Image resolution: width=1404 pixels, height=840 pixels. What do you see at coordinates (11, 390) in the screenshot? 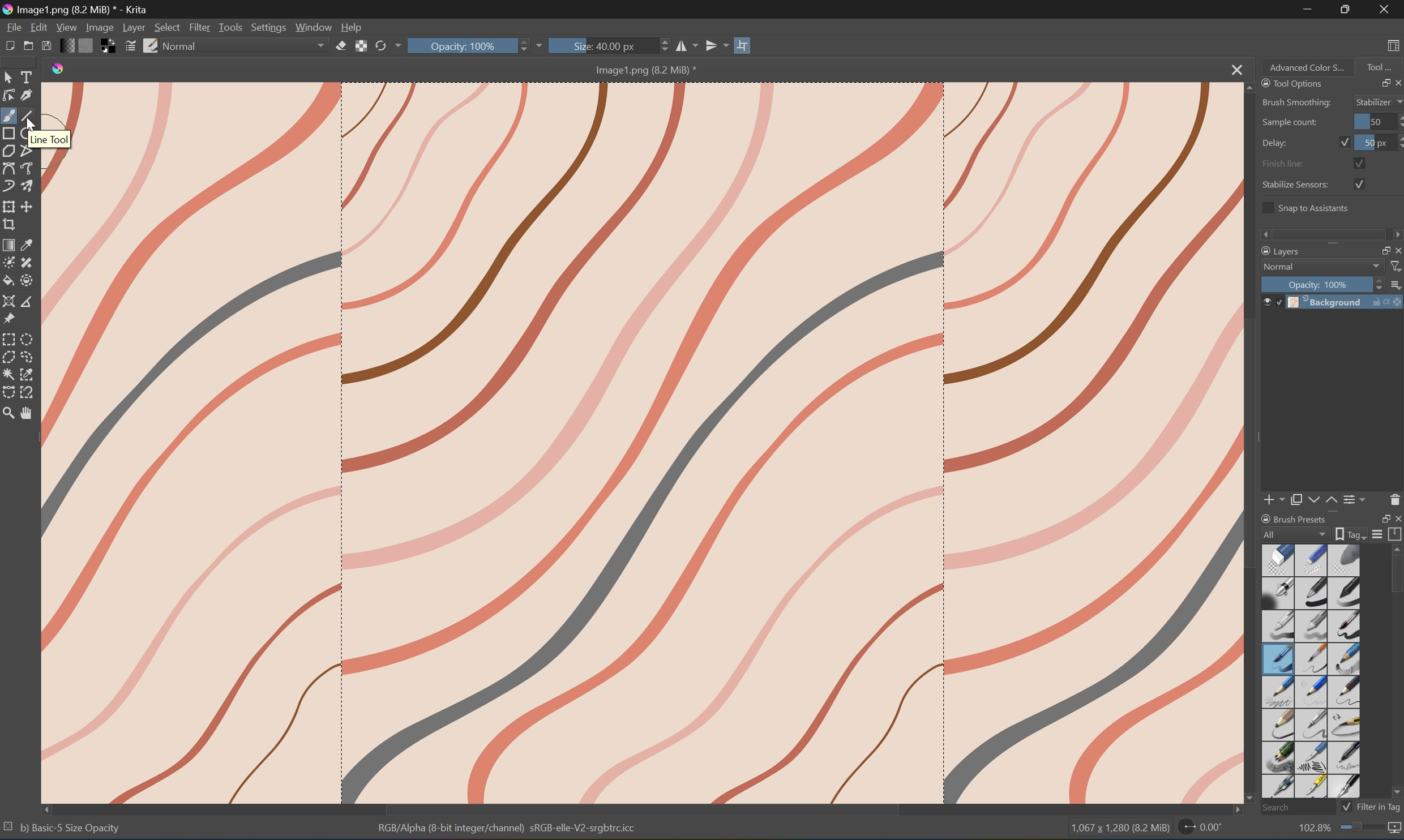
I see `Bezier curve selection tool` at bounding box center [11, 390].